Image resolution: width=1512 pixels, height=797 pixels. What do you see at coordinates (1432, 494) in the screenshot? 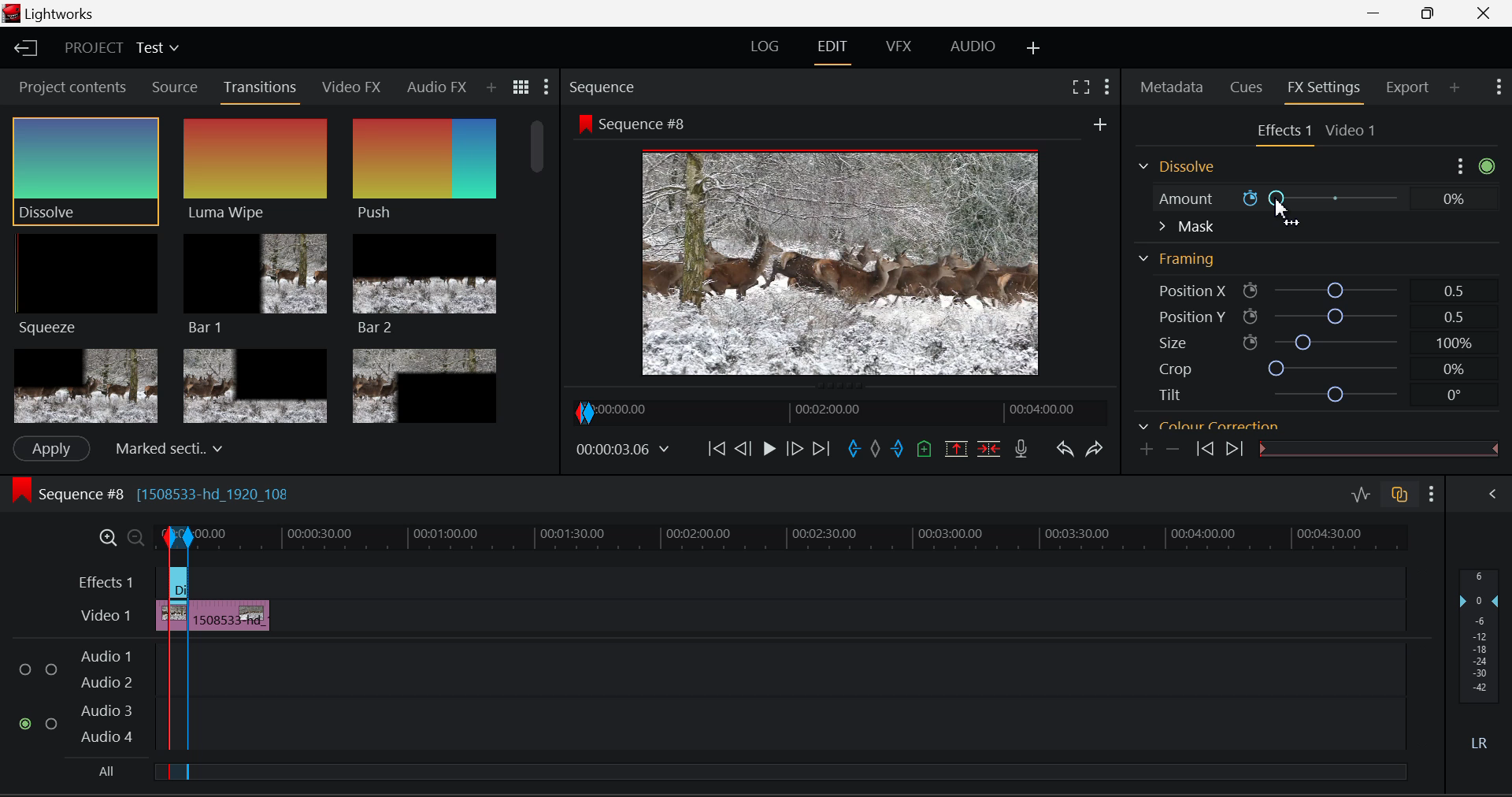
I see `Show Settings` at bounding box center [1432, 494].